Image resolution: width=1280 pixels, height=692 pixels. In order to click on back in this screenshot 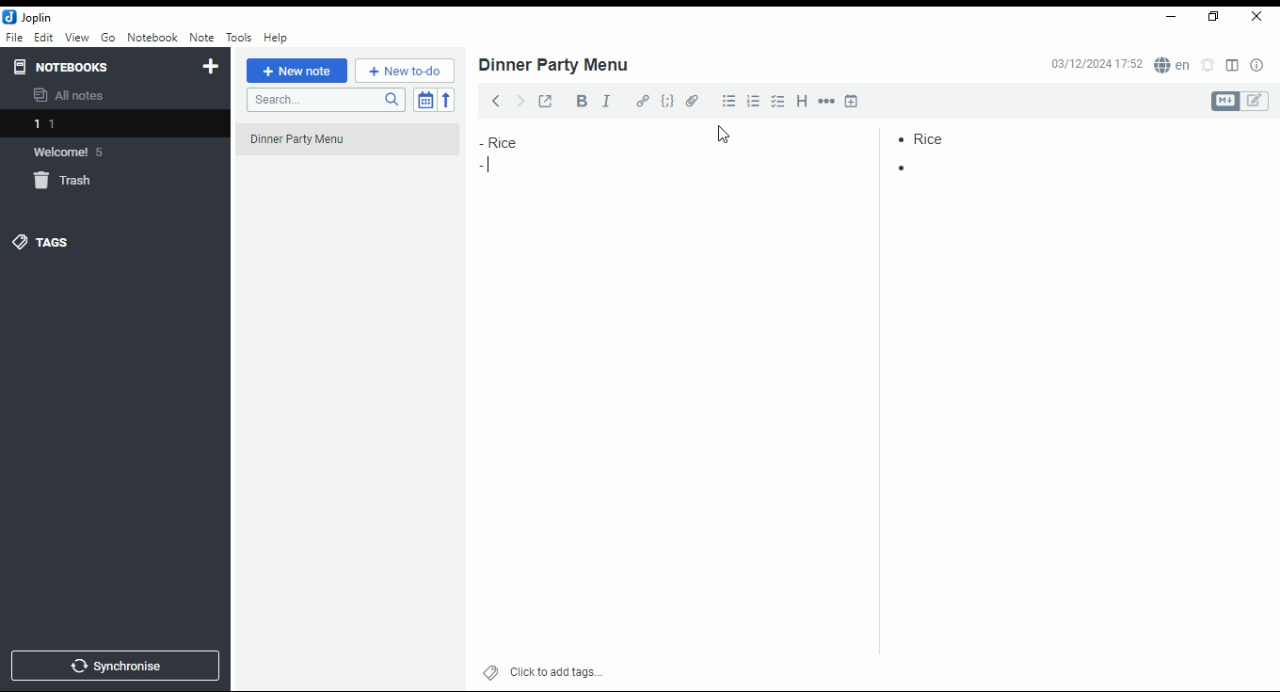, I will do `click(492, 99)`.